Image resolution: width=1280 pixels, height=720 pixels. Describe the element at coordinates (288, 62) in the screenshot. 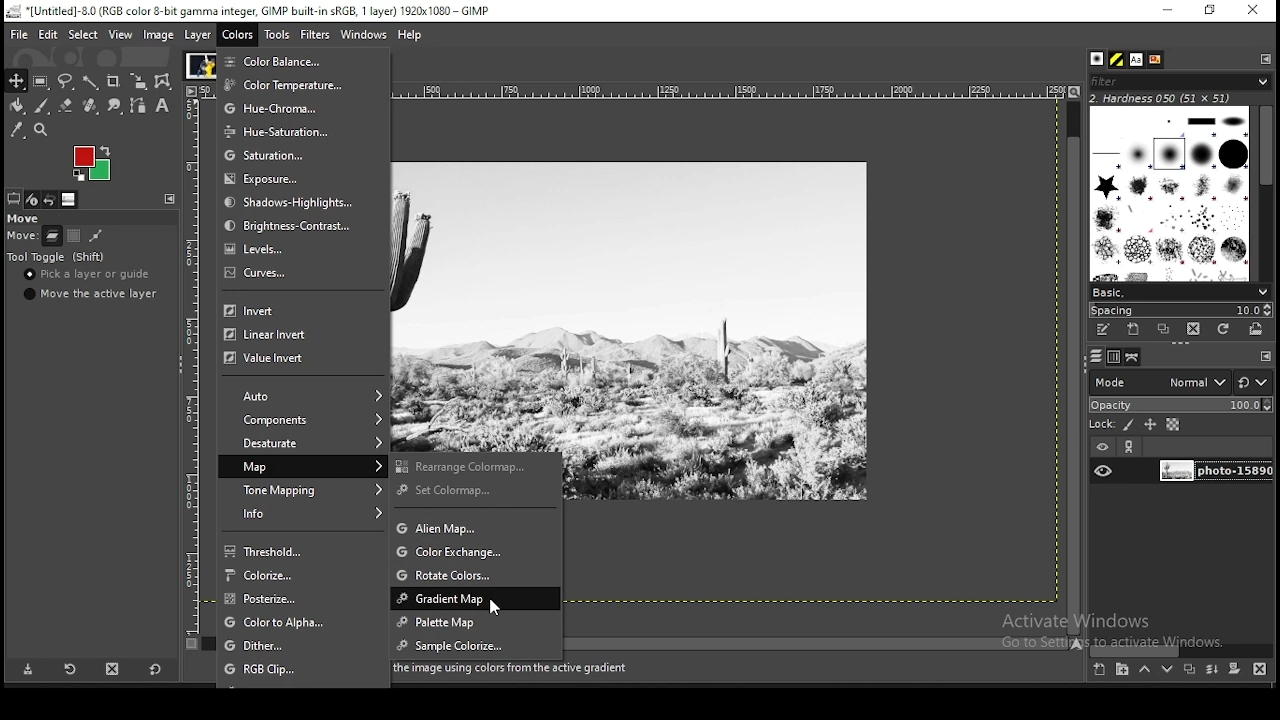

I see `color balance` at that location.